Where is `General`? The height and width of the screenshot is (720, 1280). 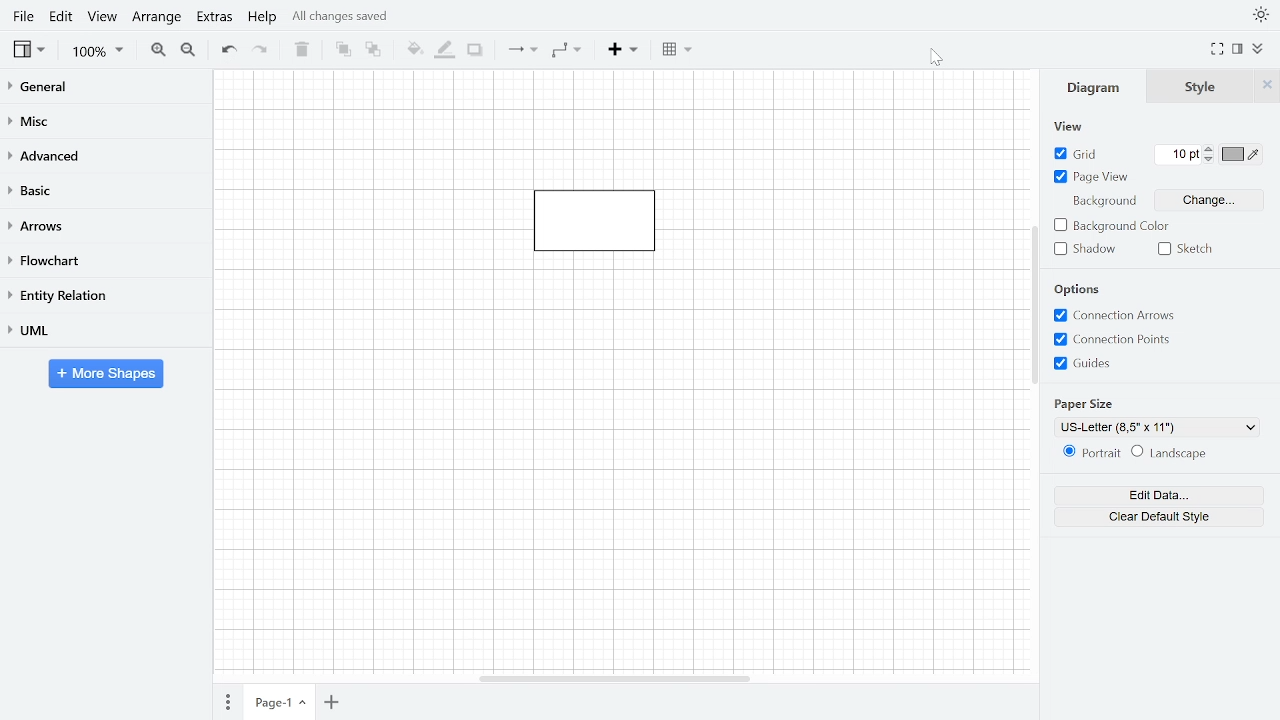
General is located at coordinates (104, 89).